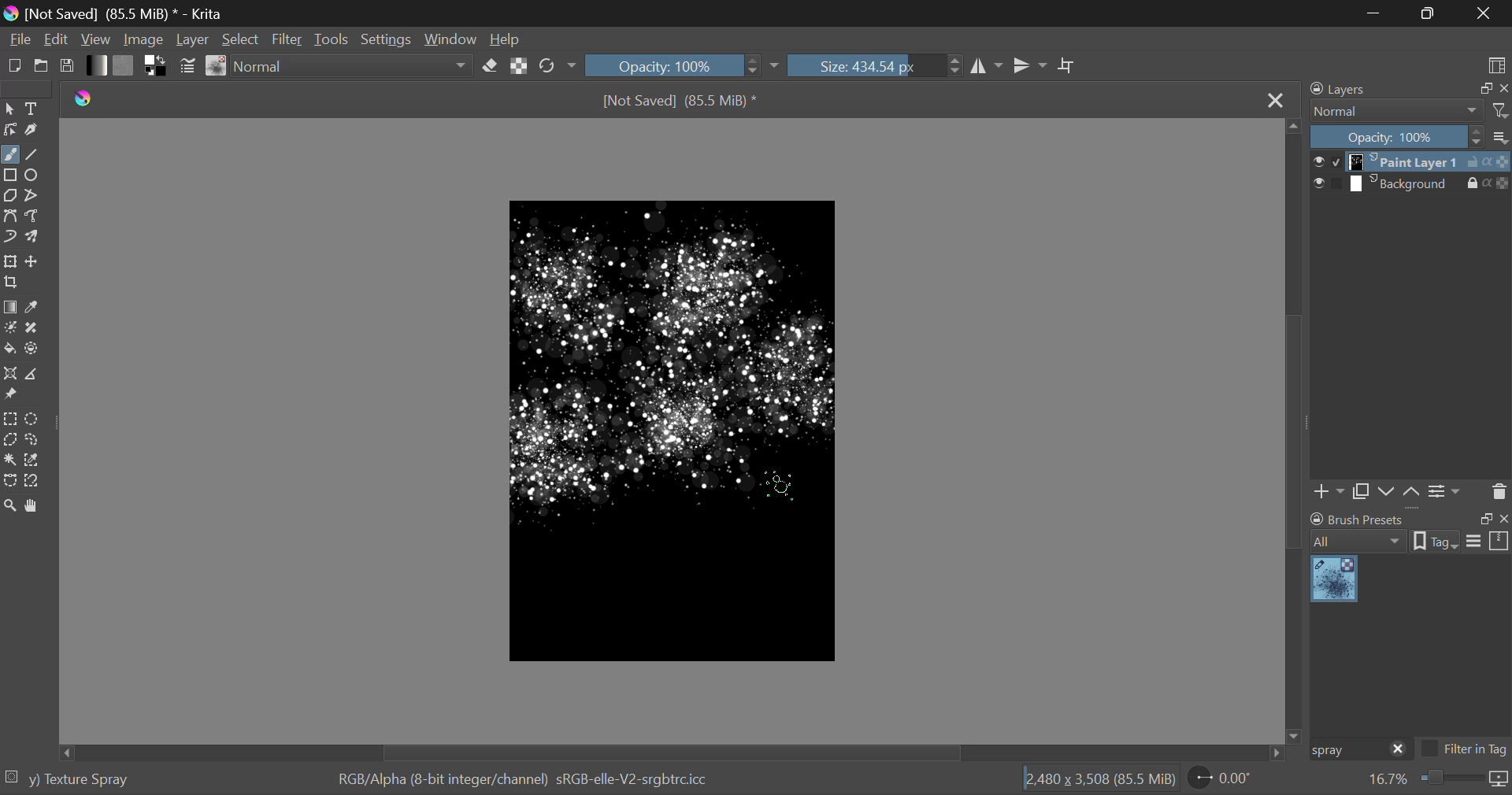 Image resolution: width=1512 pixels, height=795 pixels. What do you see at coordinates (11, 308) in the screenshot?
I see `Gradient Fill` at bounding box center [11, 308].